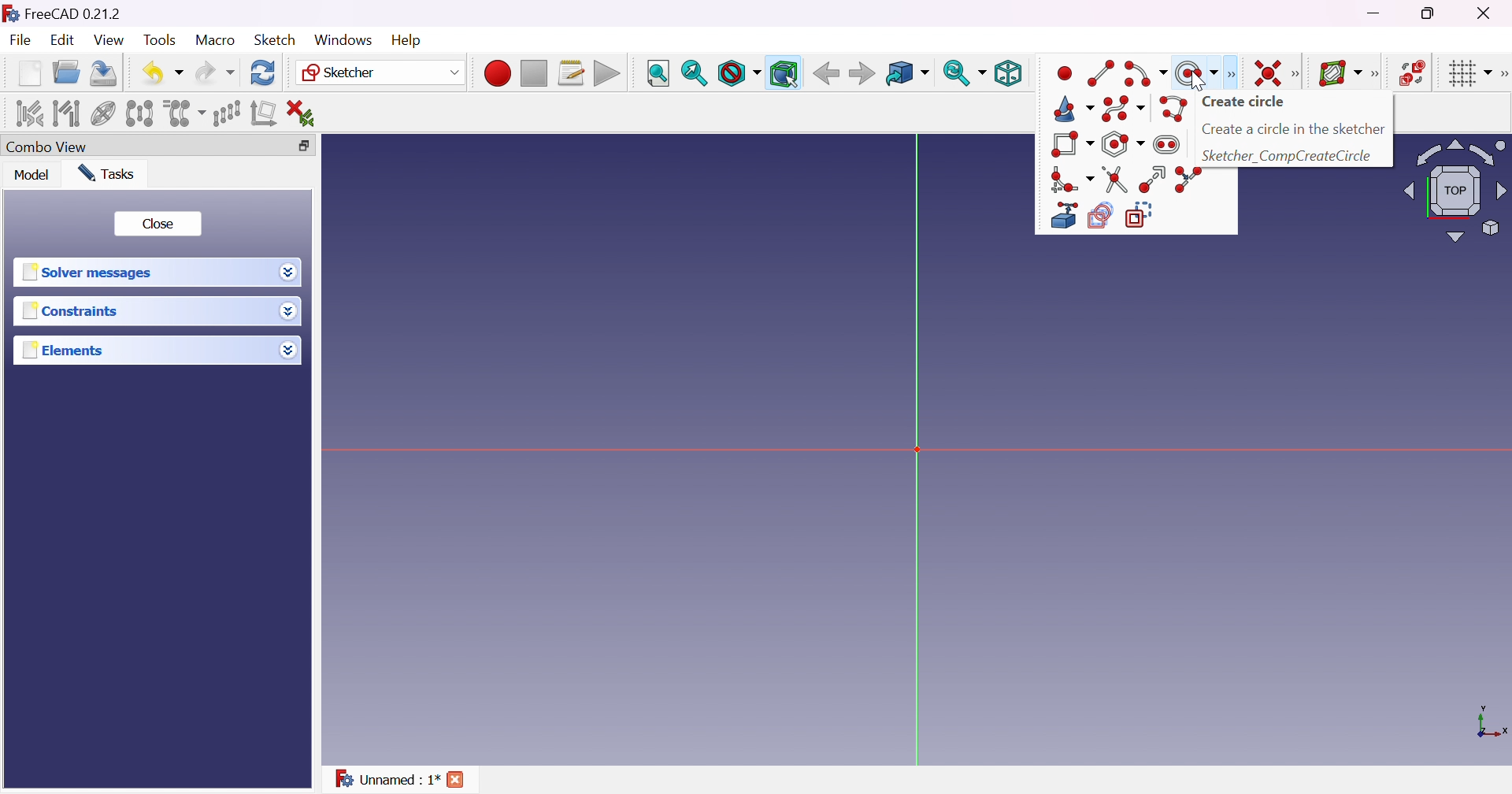 The width and height of the screenshot is (1512, 794). What do you see at coordinates (102, 72) in the screenshot?
I see `Save` at bounding box center [102, 72].